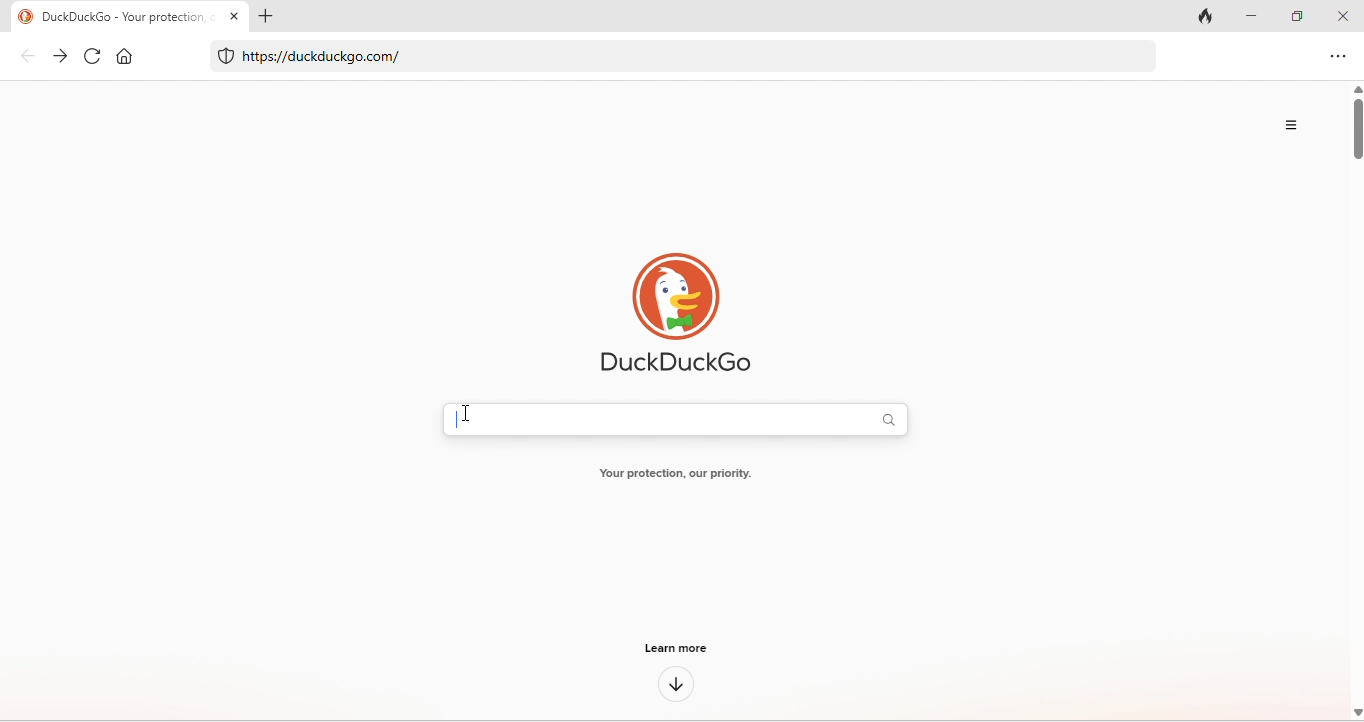  Describe the element at coordinates (684, 476) in the screenshot. I see `Your protection, our priority` at that location.